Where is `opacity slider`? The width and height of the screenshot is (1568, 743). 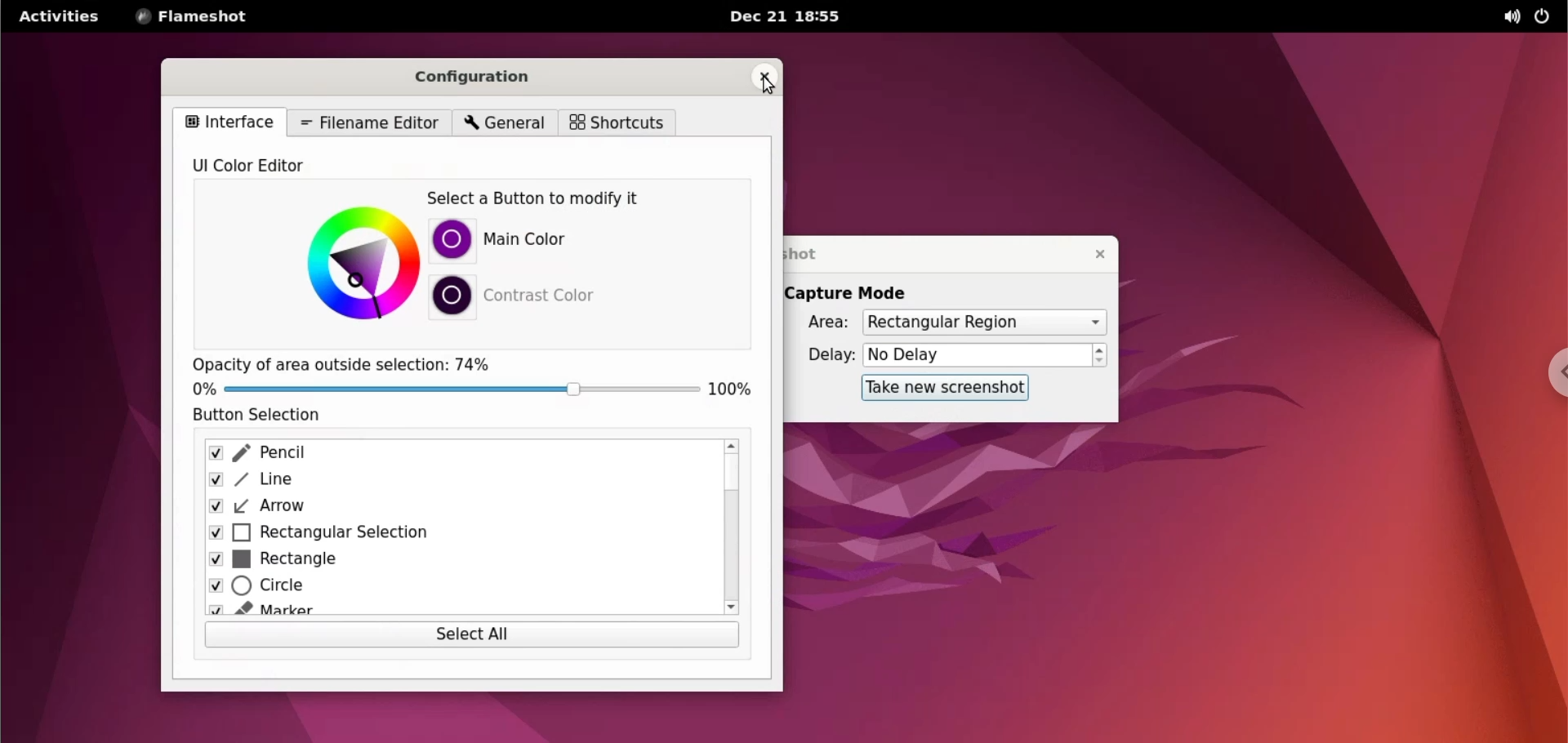 opacity slider is located at coordinates (461, 389).